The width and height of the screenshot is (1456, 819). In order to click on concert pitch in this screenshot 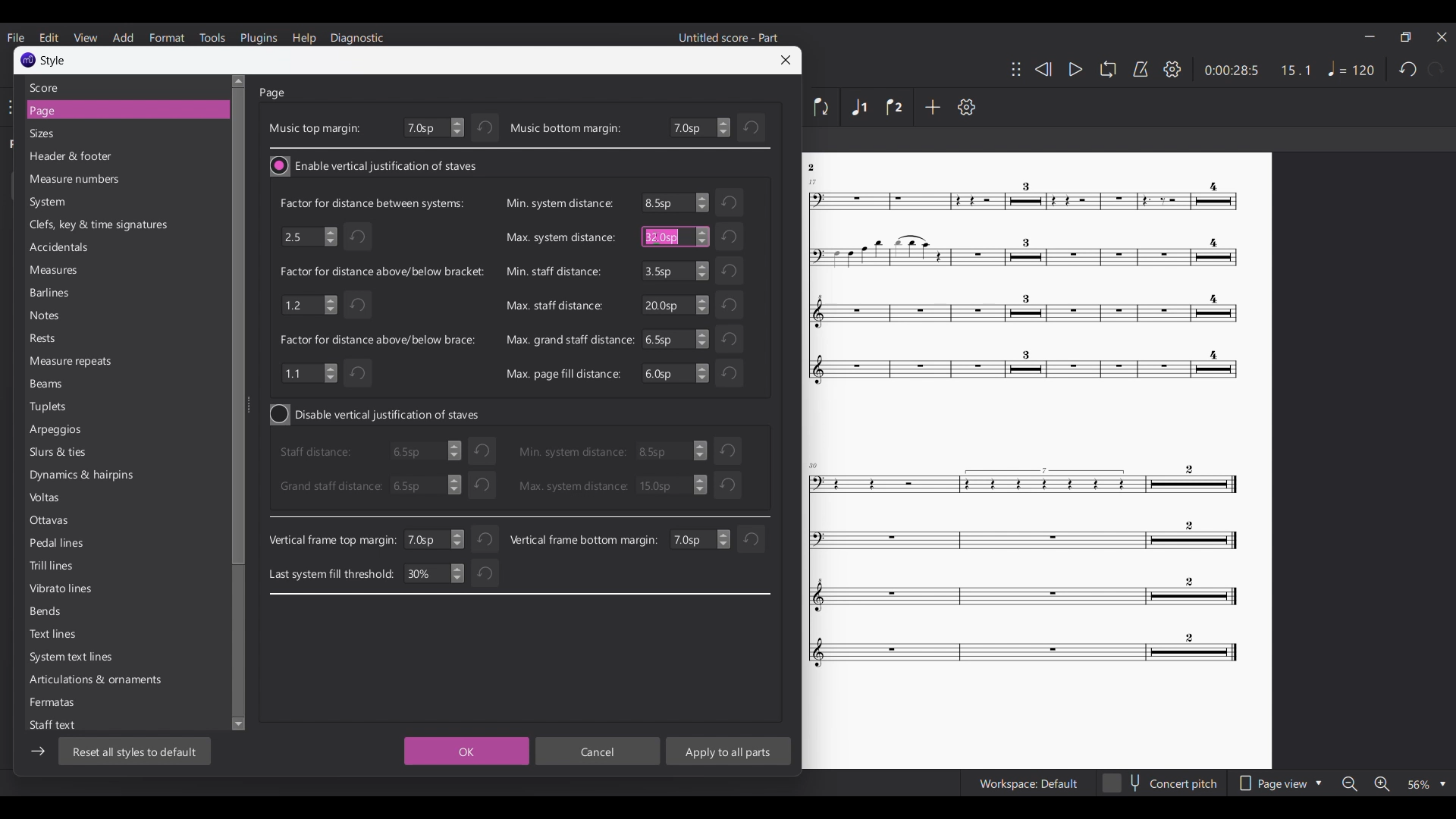, I will do `click(1160, 785)`.